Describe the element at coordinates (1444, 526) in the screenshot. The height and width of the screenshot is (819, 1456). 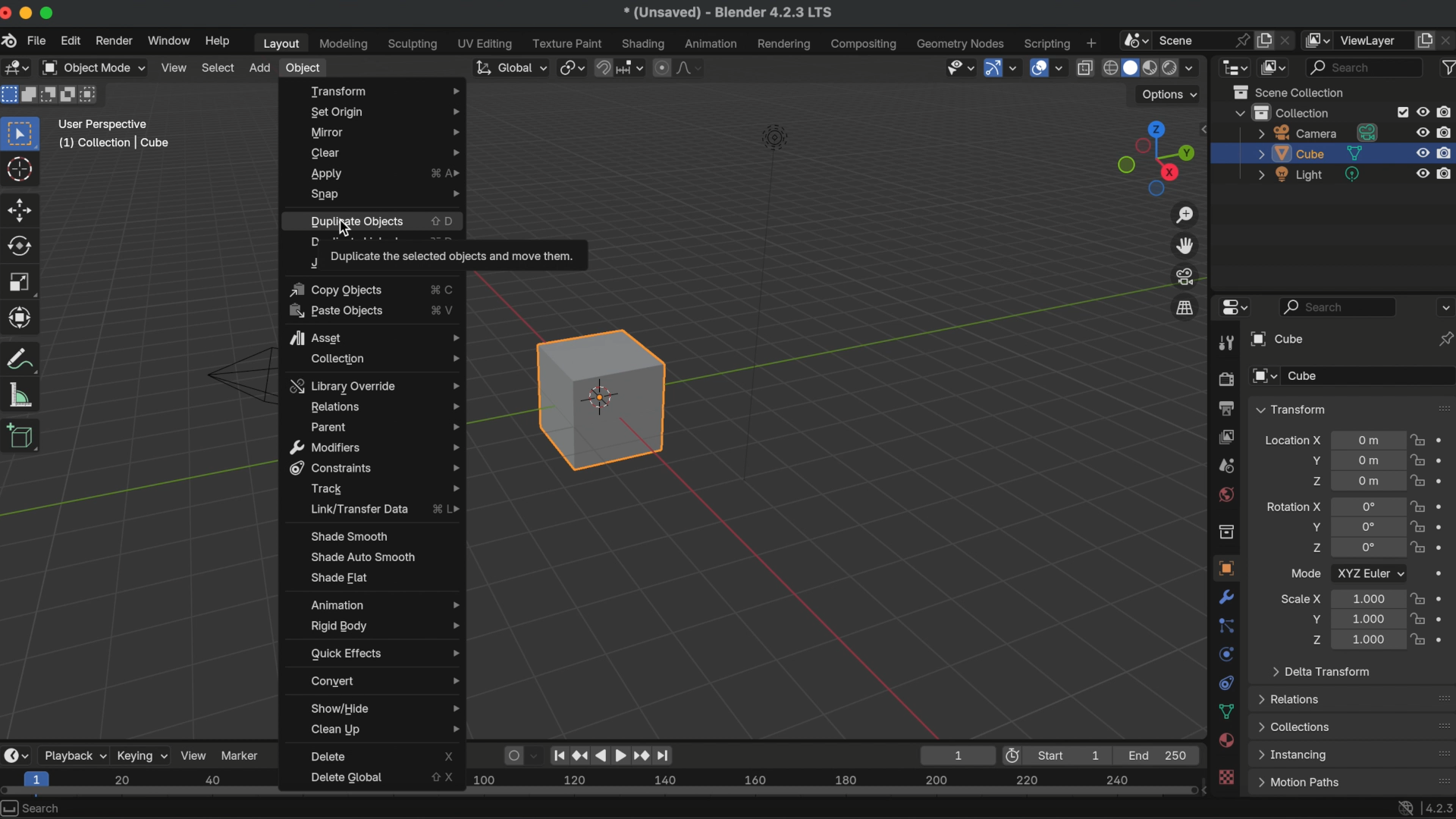
I see `animate property` at that location.